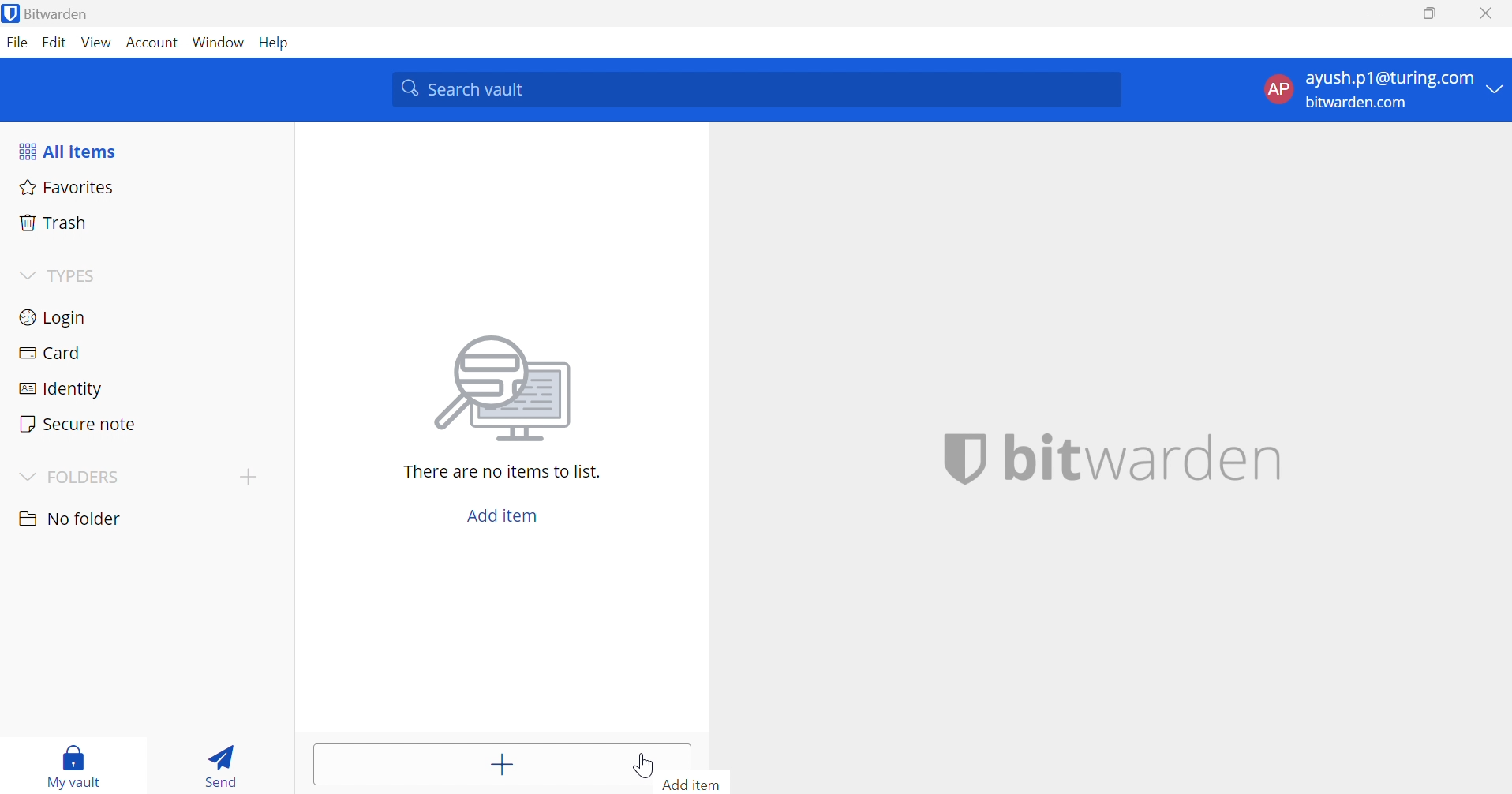  I want to click on All items, so click(71, 153).